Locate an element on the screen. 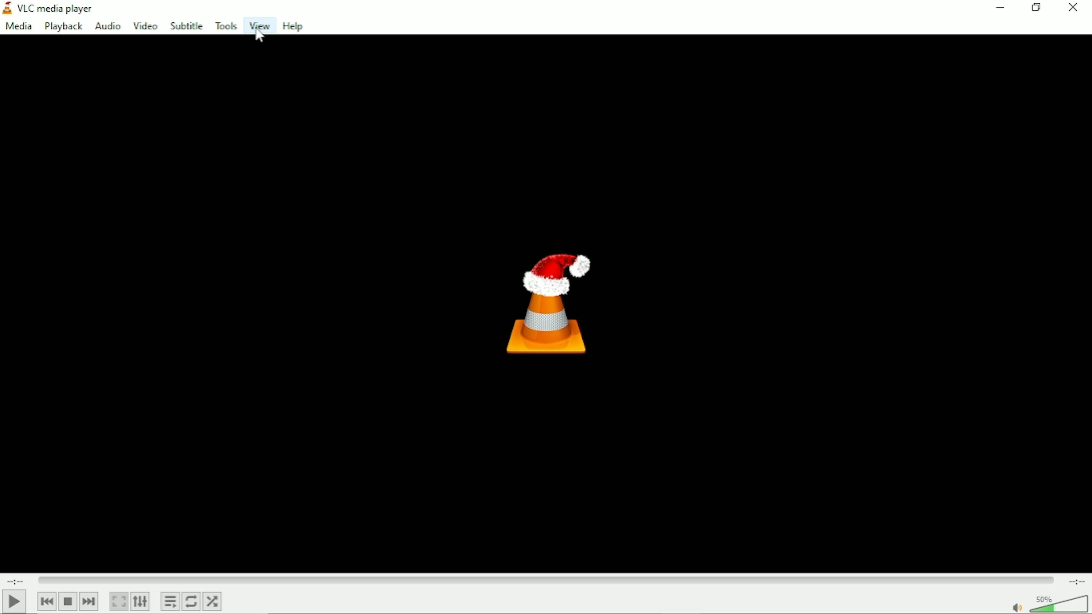 Image resolution: width=1092 pixels, height=614 pixels. Random is located at coordinates (212, 601).